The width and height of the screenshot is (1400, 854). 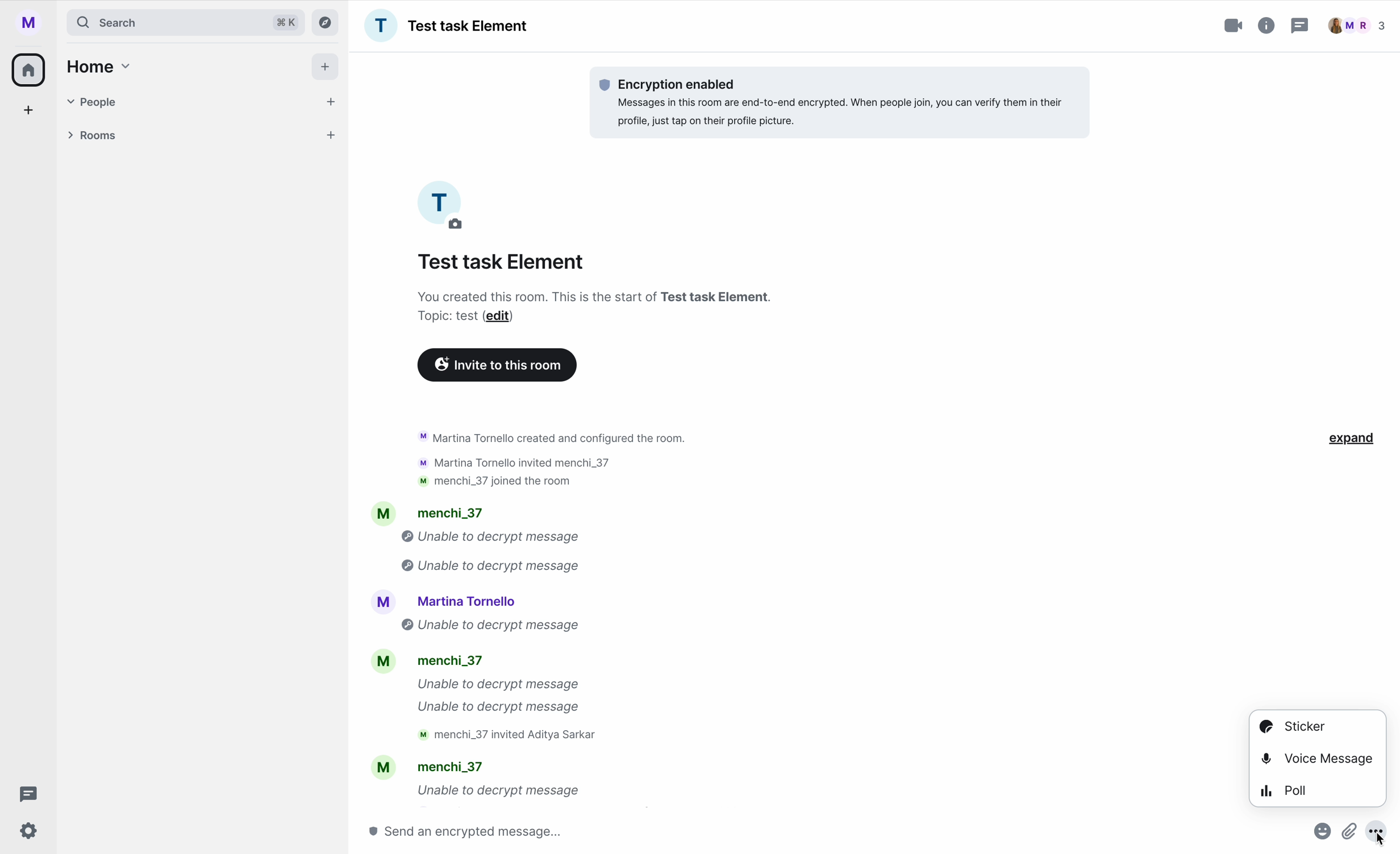 What do you see at coordinates (1318, 756) in the screenshot?
I see `voice message` at bounding box center [1318, 756].